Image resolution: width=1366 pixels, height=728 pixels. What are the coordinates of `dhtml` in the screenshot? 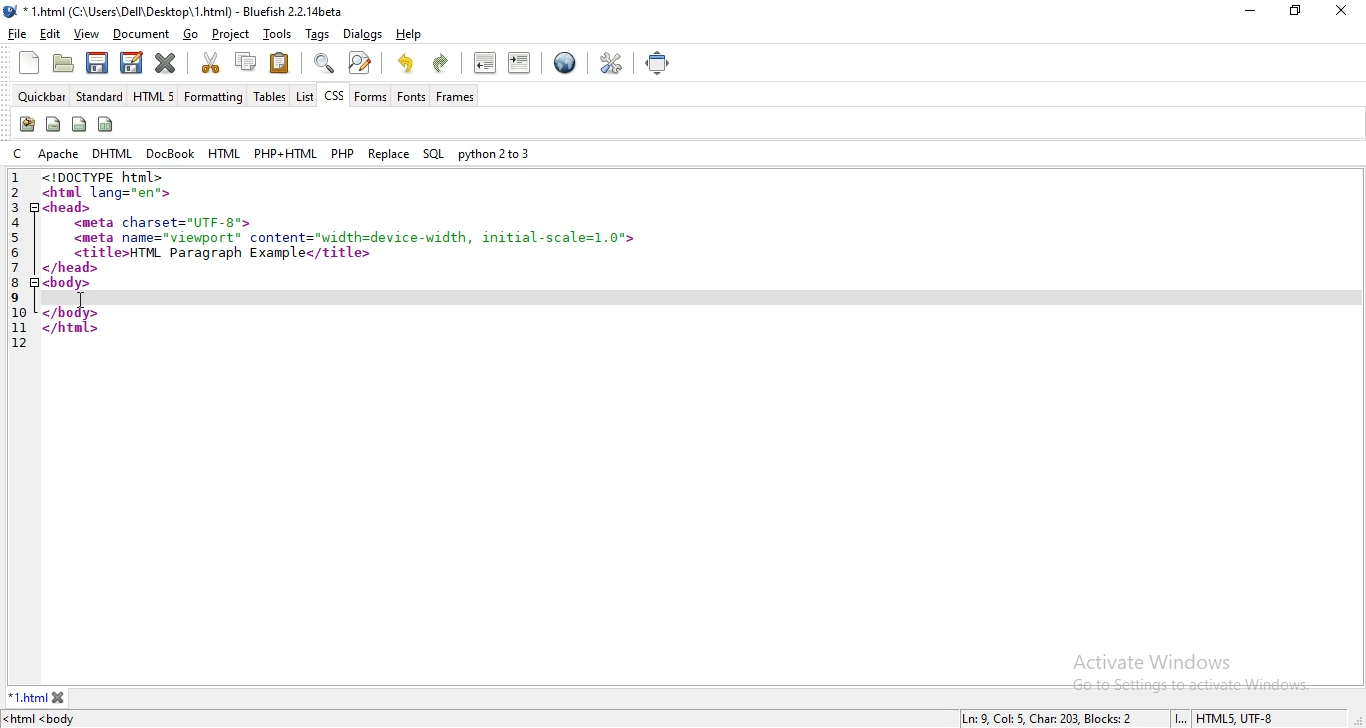 It's located at (111, 153).